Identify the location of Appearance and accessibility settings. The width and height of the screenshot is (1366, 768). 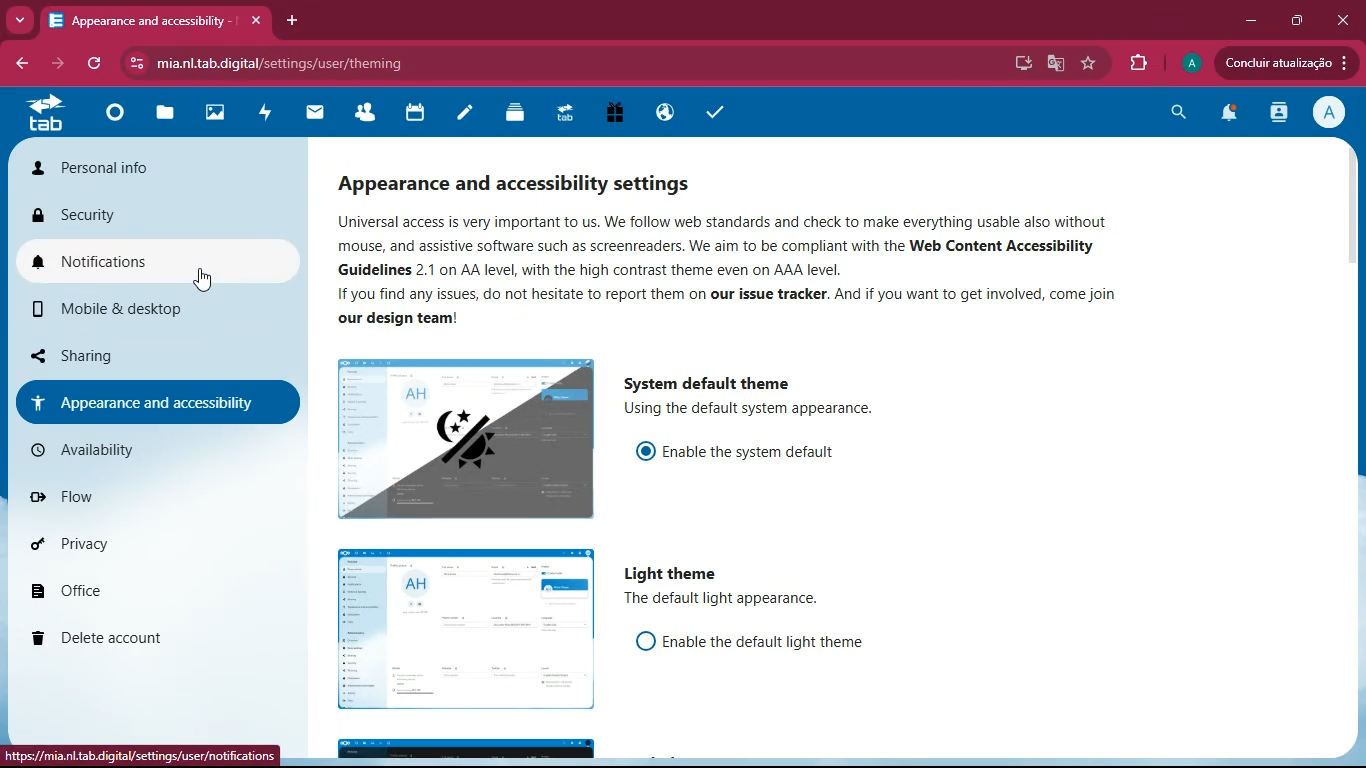
(520, 188).